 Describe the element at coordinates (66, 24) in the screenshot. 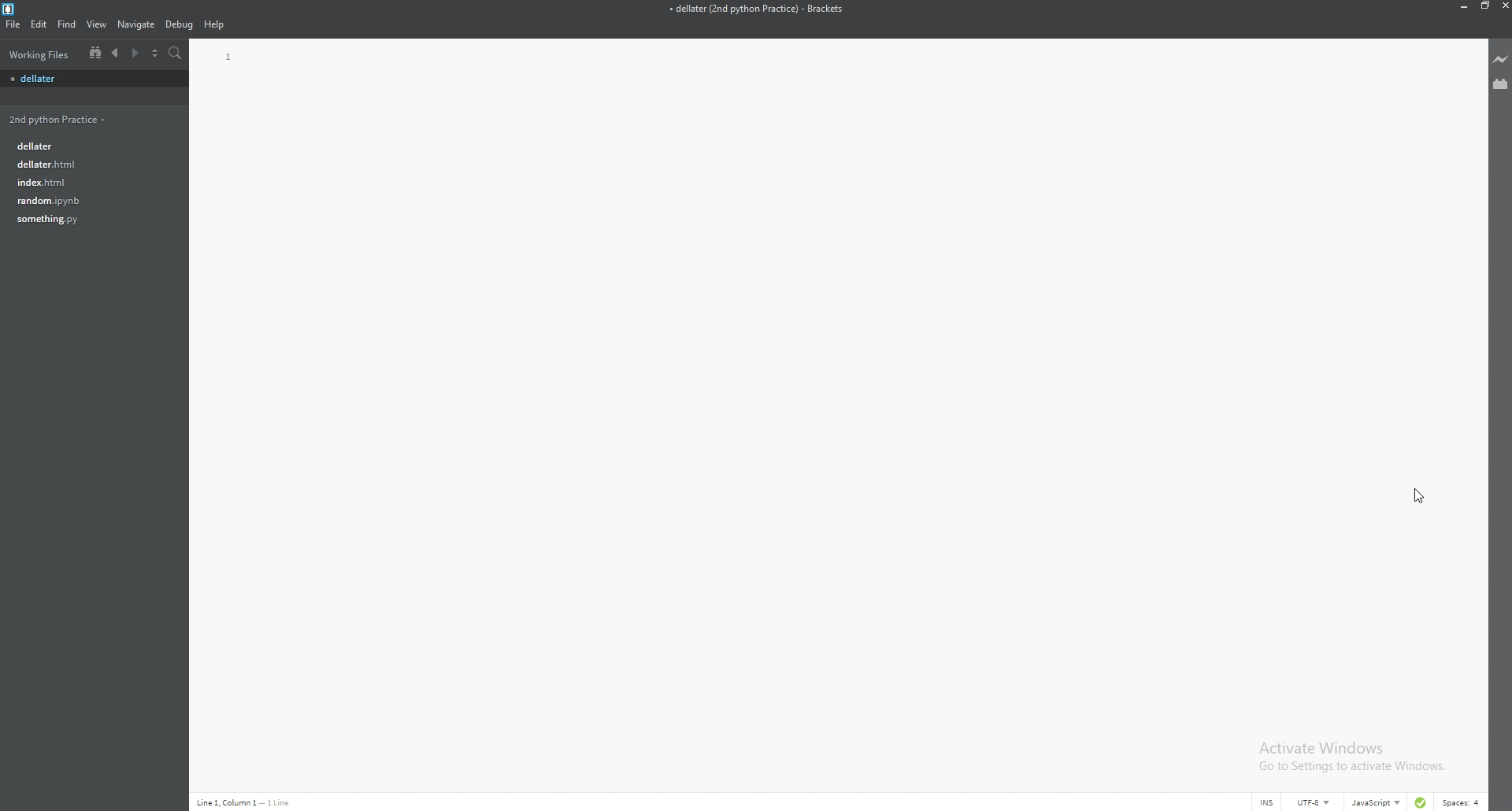

I see `find` at that location.